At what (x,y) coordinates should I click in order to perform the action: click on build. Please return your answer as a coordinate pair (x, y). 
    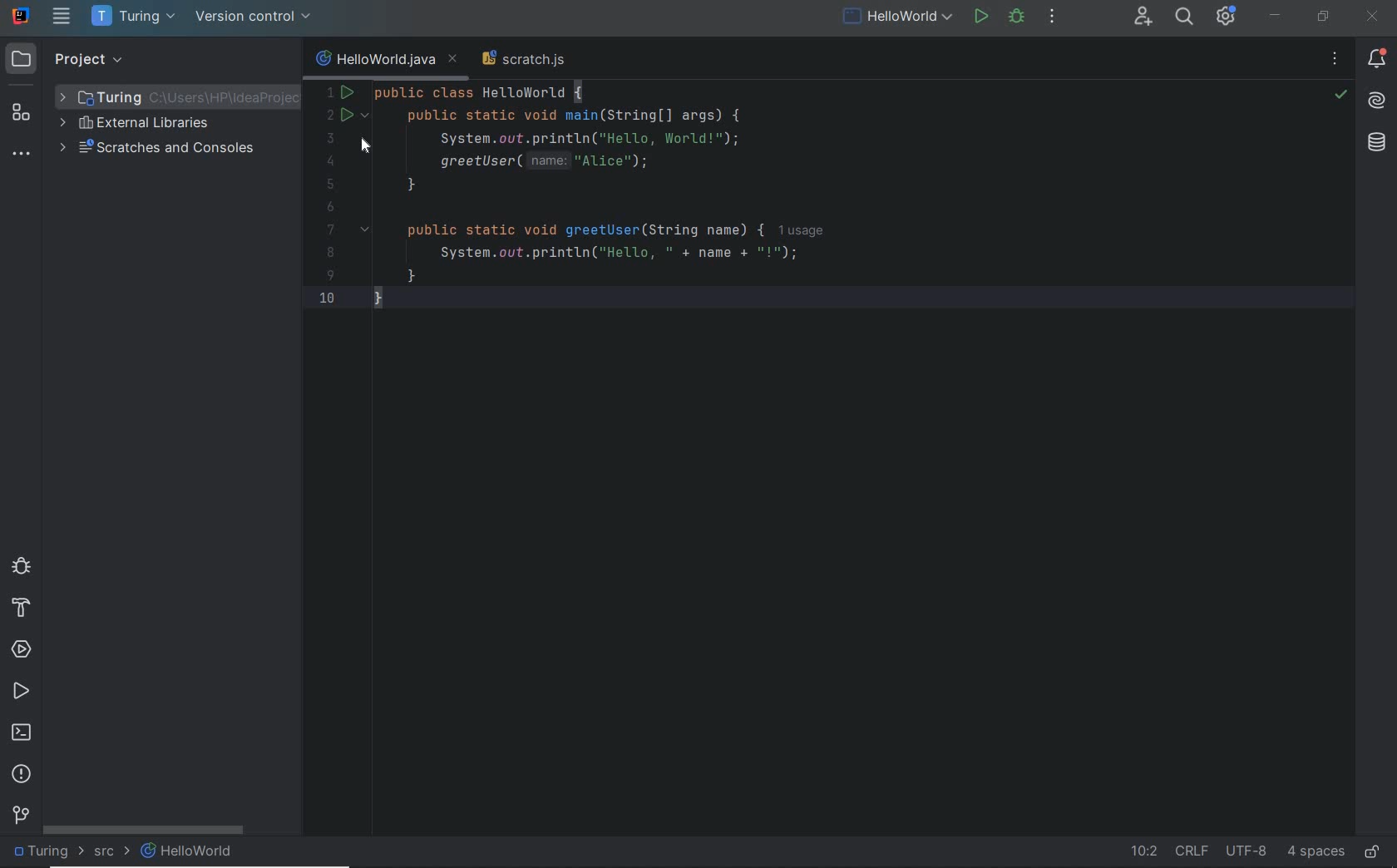
    Looking at the image, I should click on (17, 610).